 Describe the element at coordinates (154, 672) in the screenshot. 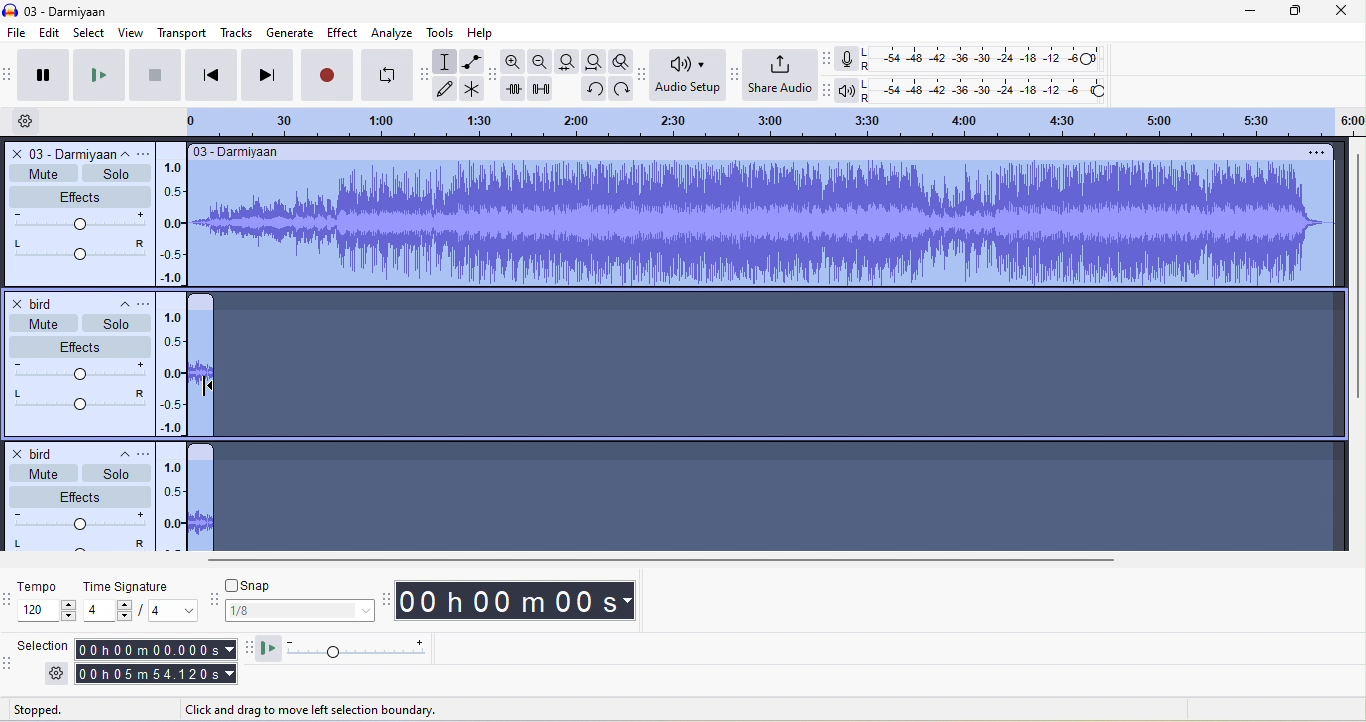

I see `00 h 05 m 54.1.120 s` at that location.